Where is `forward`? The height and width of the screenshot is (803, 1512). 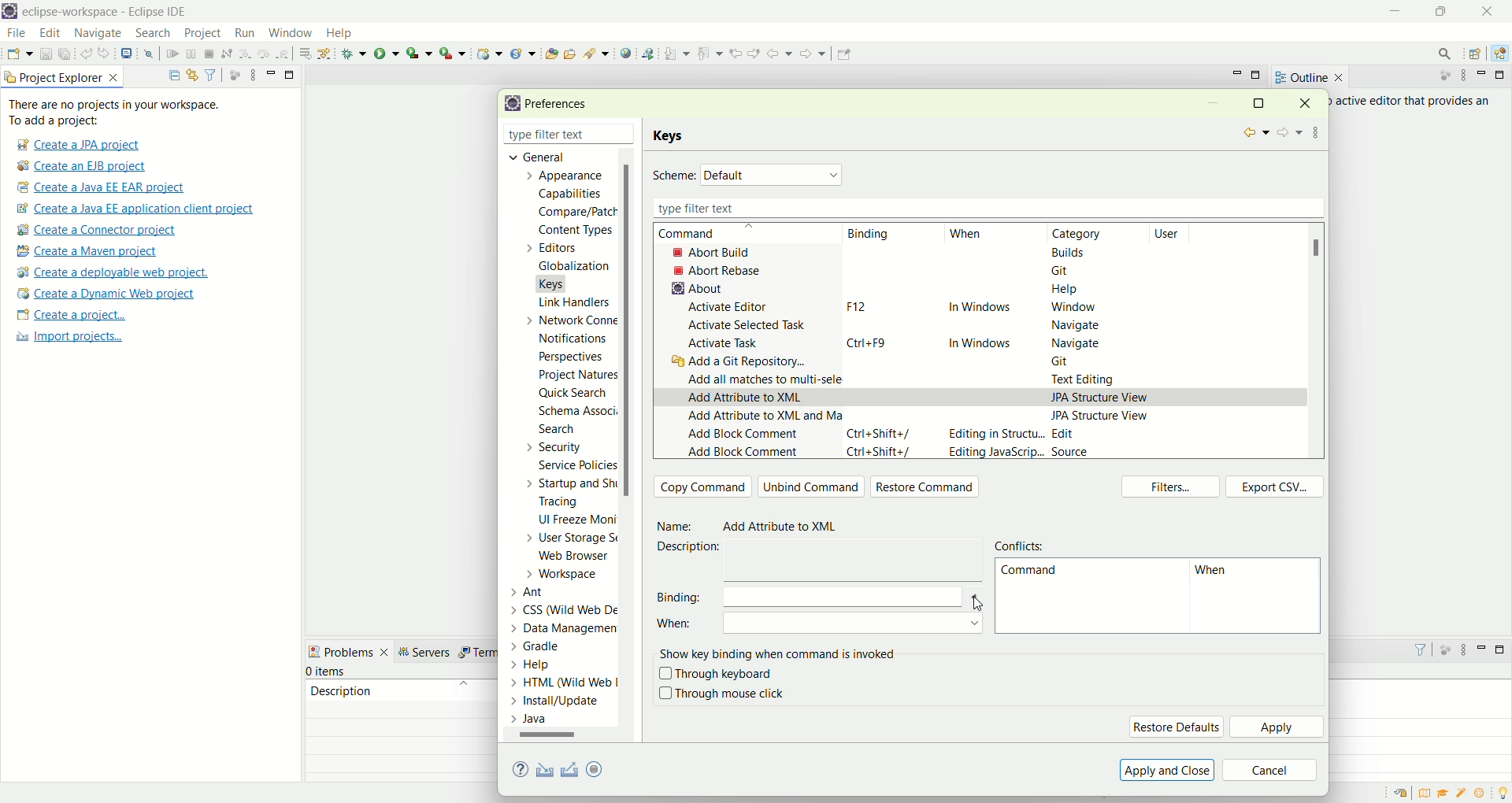 forward is located at coordinates (811, 57).